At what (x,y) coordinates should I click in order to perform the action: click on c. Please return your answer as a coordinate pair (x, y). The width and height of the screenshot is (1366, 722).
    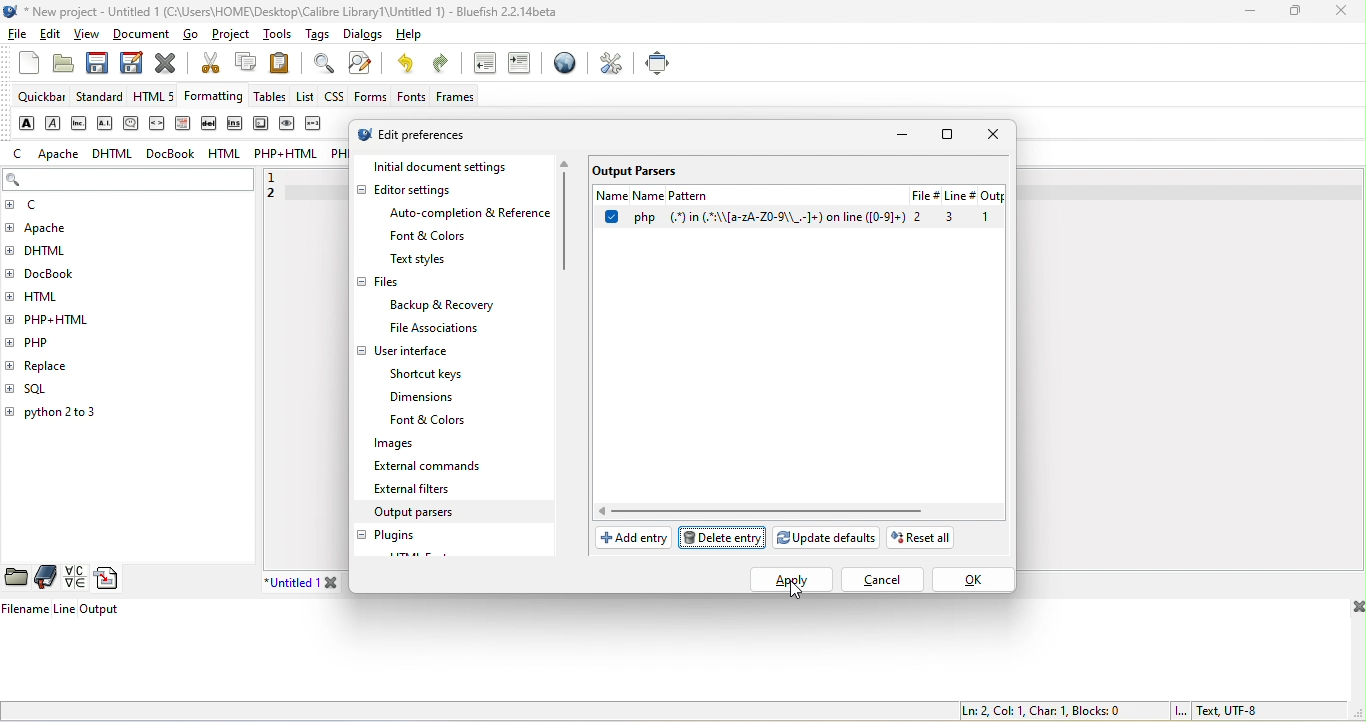
    Looking at the image, I should click on (38, 206).